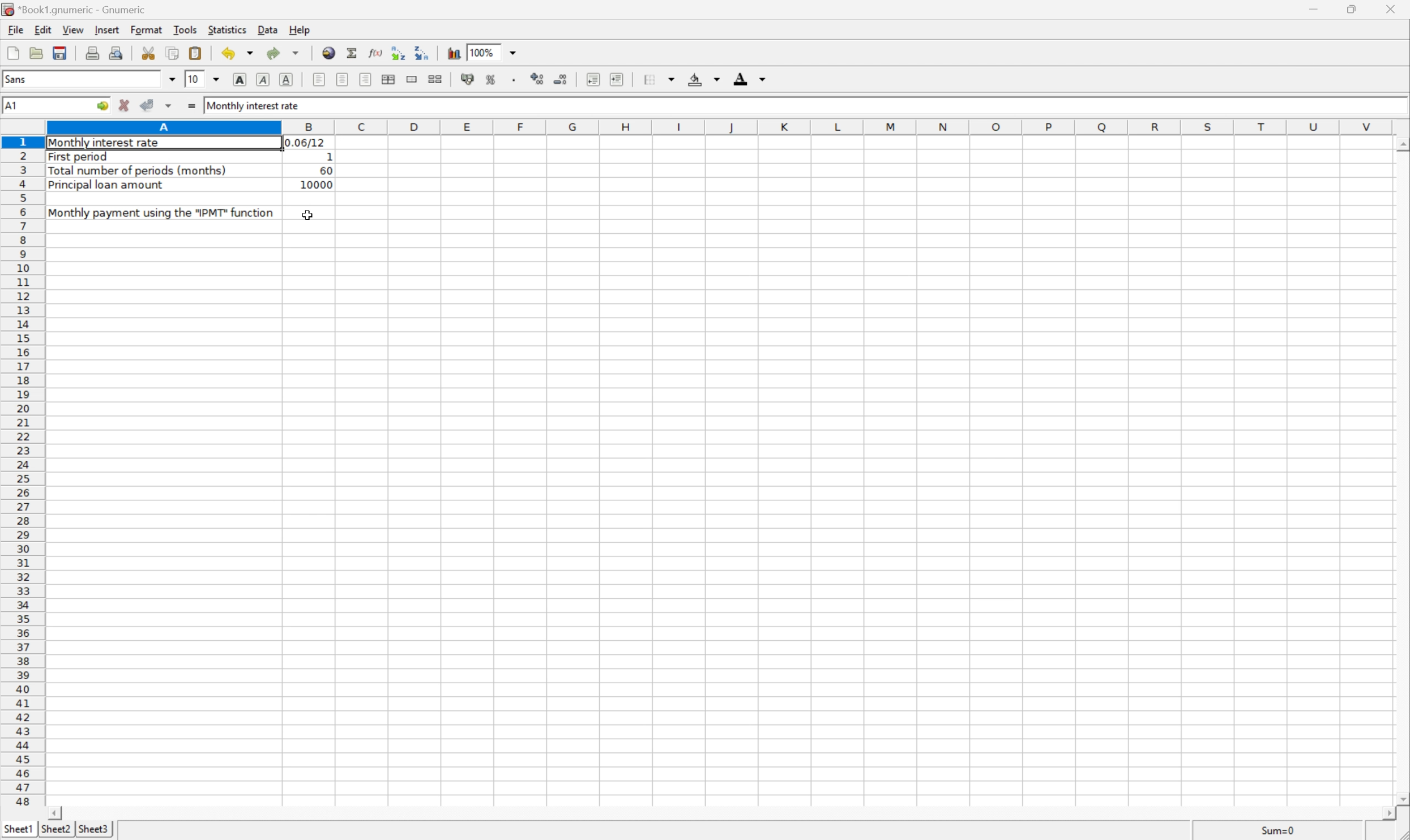  I want to click on Sheet1, so click(19, 829).